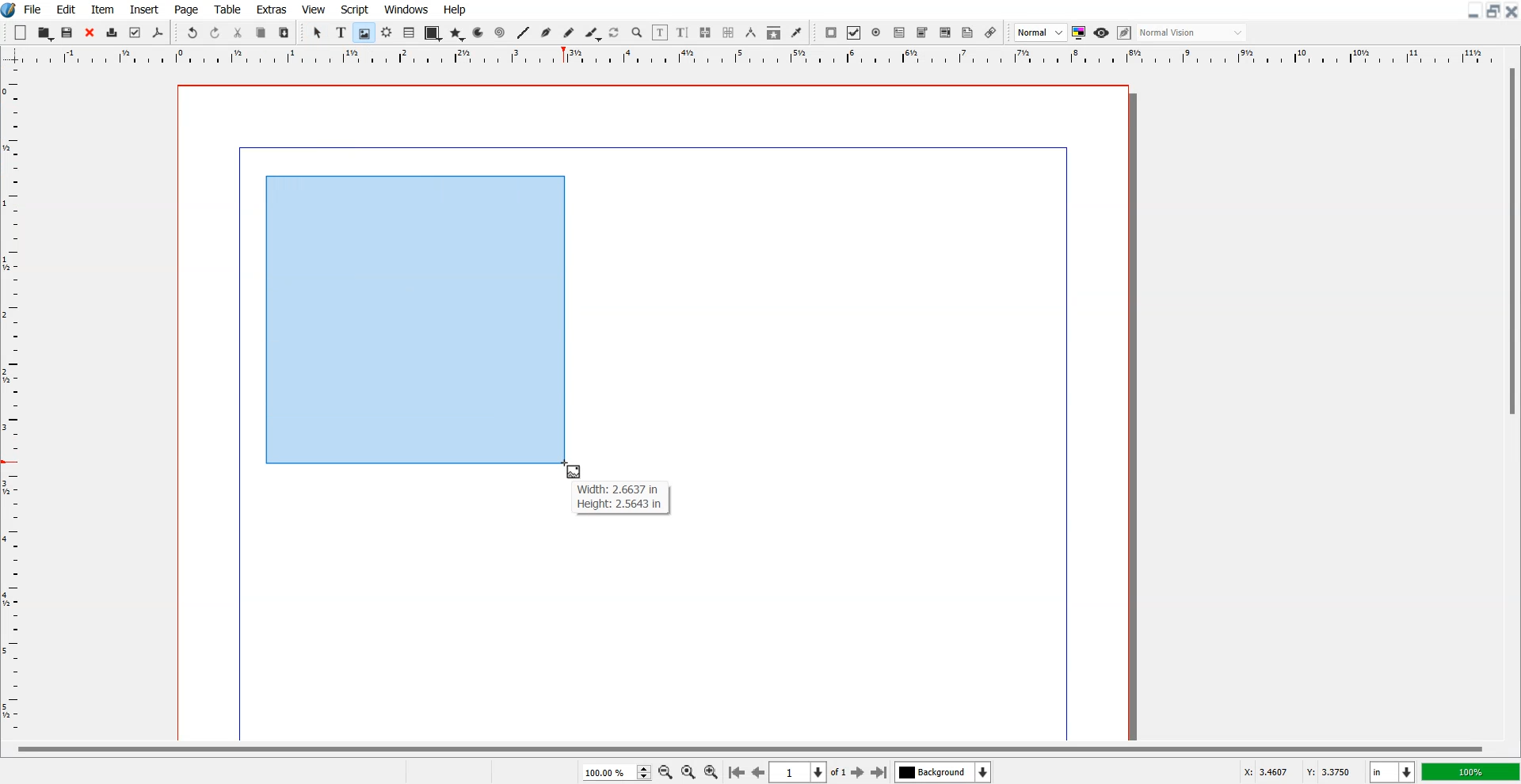 The image size is (1521, 784). Describe the element at coordinates (922, 33) in the screenshot. I see `PDF Combo Box` at that location.